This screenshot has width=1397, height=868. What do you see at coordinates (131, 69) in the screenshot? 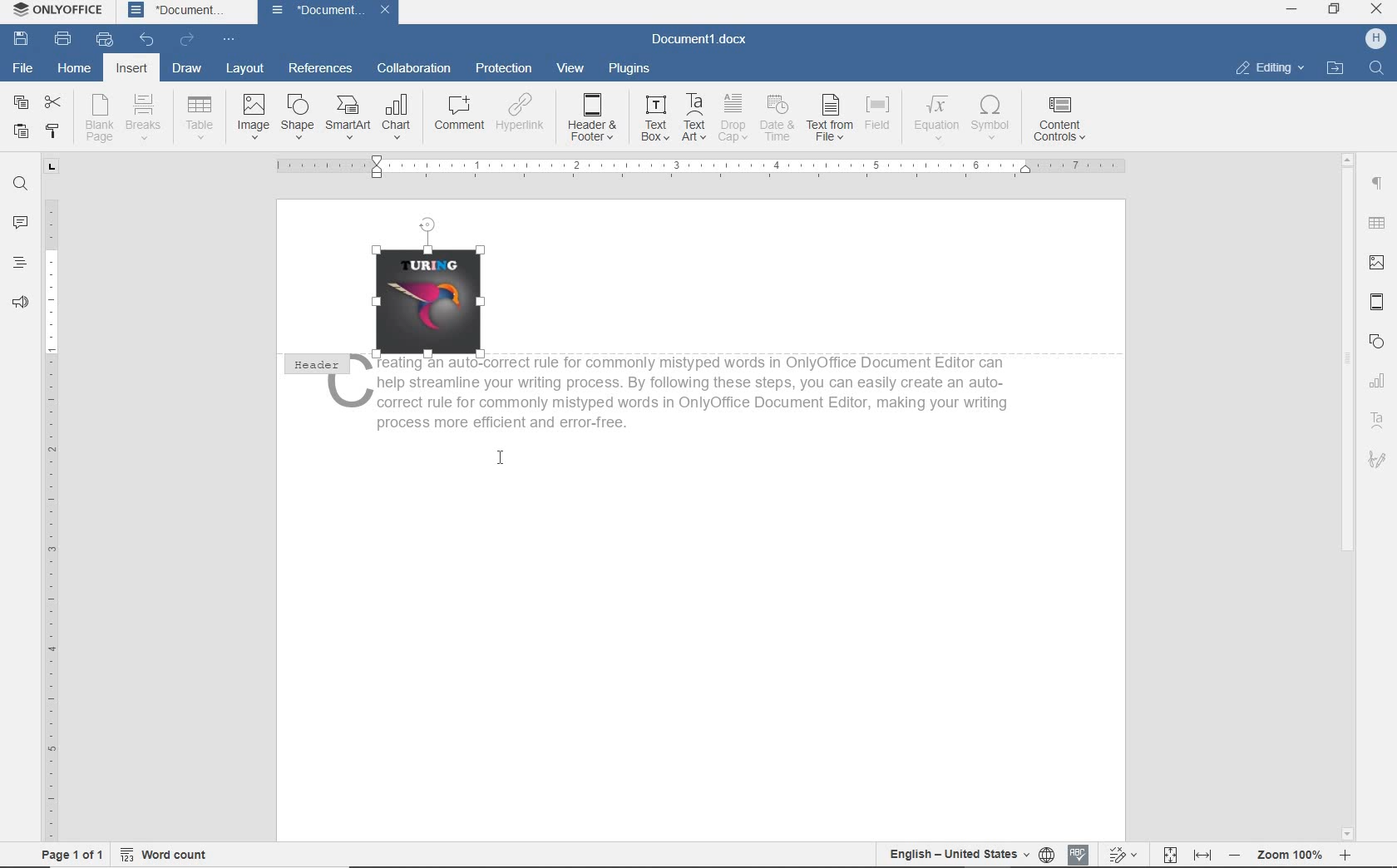
I see `INSERT` at bounding box center [131, 69].